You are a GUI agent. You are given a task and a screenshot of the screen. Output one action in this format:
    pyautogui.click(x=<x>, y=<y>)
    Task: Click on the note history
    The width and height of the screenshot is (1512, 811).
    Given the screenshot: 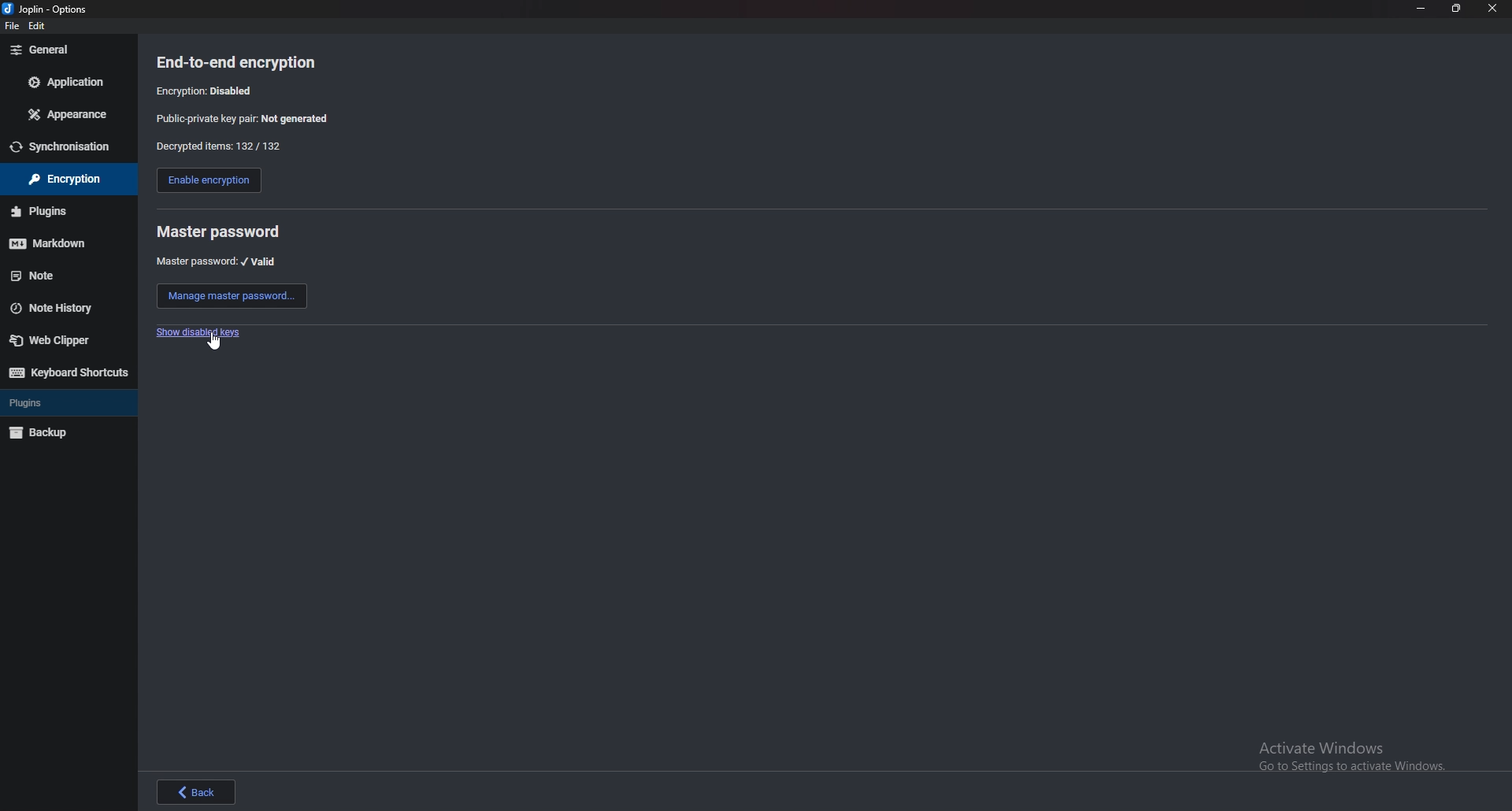 What is the action you would take?
    pyautogui.click(x=64, y=308)
    